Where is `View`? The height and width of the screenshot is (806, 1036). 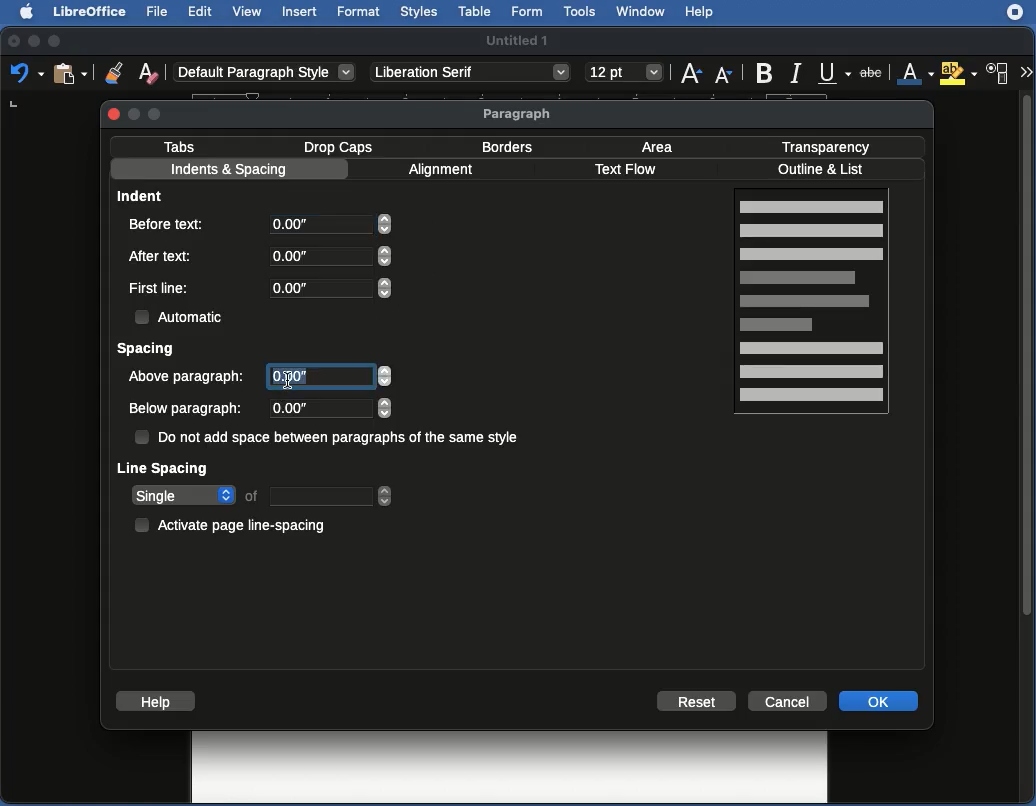
View is located at coordinates (249, 13).